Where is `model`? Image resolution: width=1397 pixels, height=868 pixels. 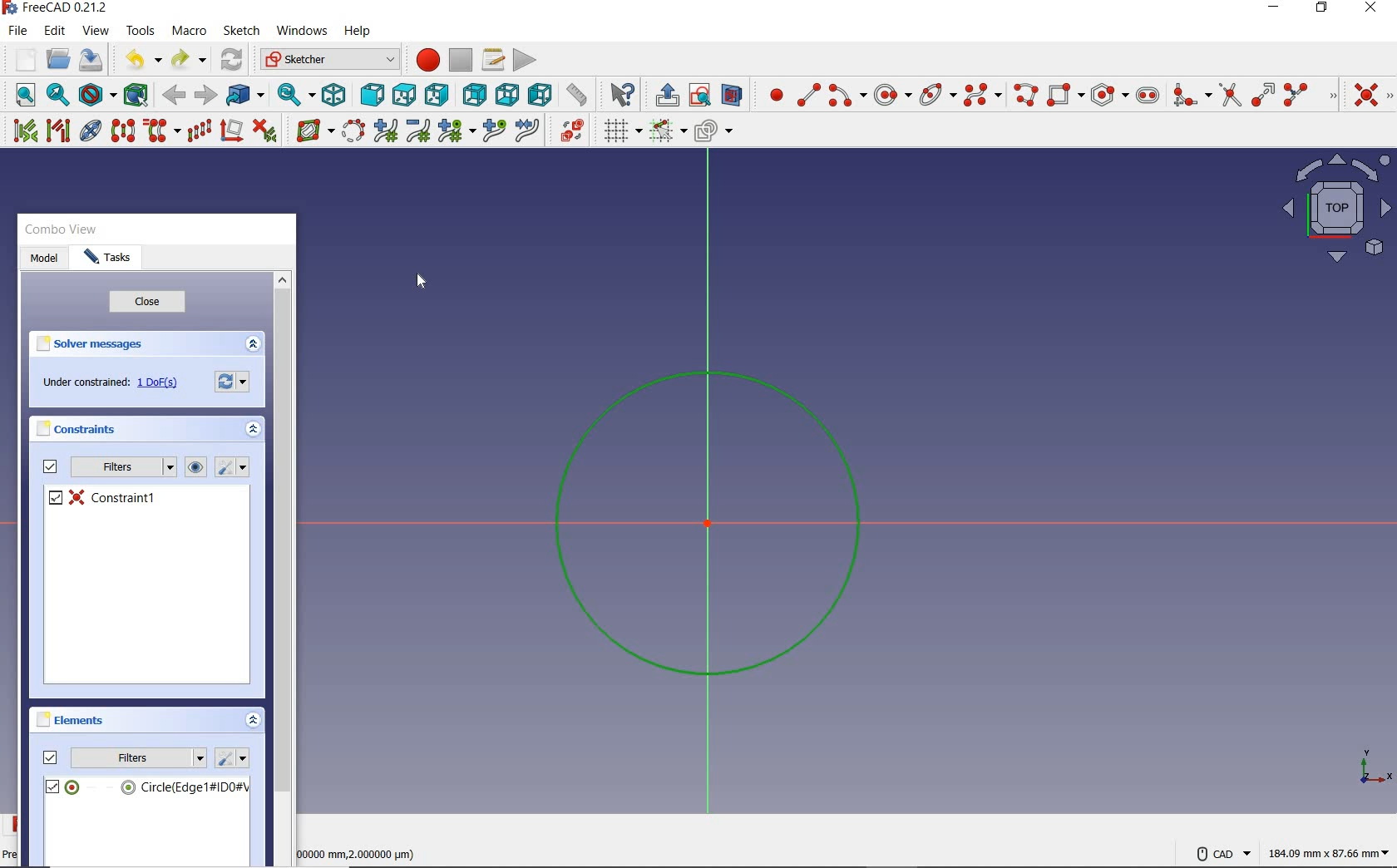 model is located at coordinates (43, 259).